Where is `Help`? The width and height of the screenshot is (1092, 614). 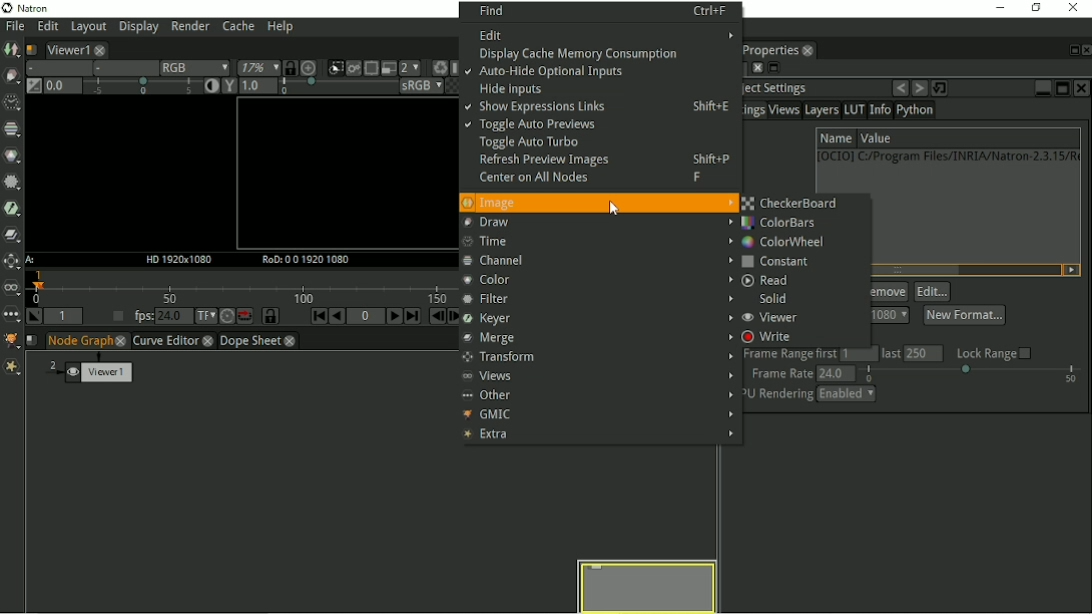 Help is located at coordinates (279, 28).